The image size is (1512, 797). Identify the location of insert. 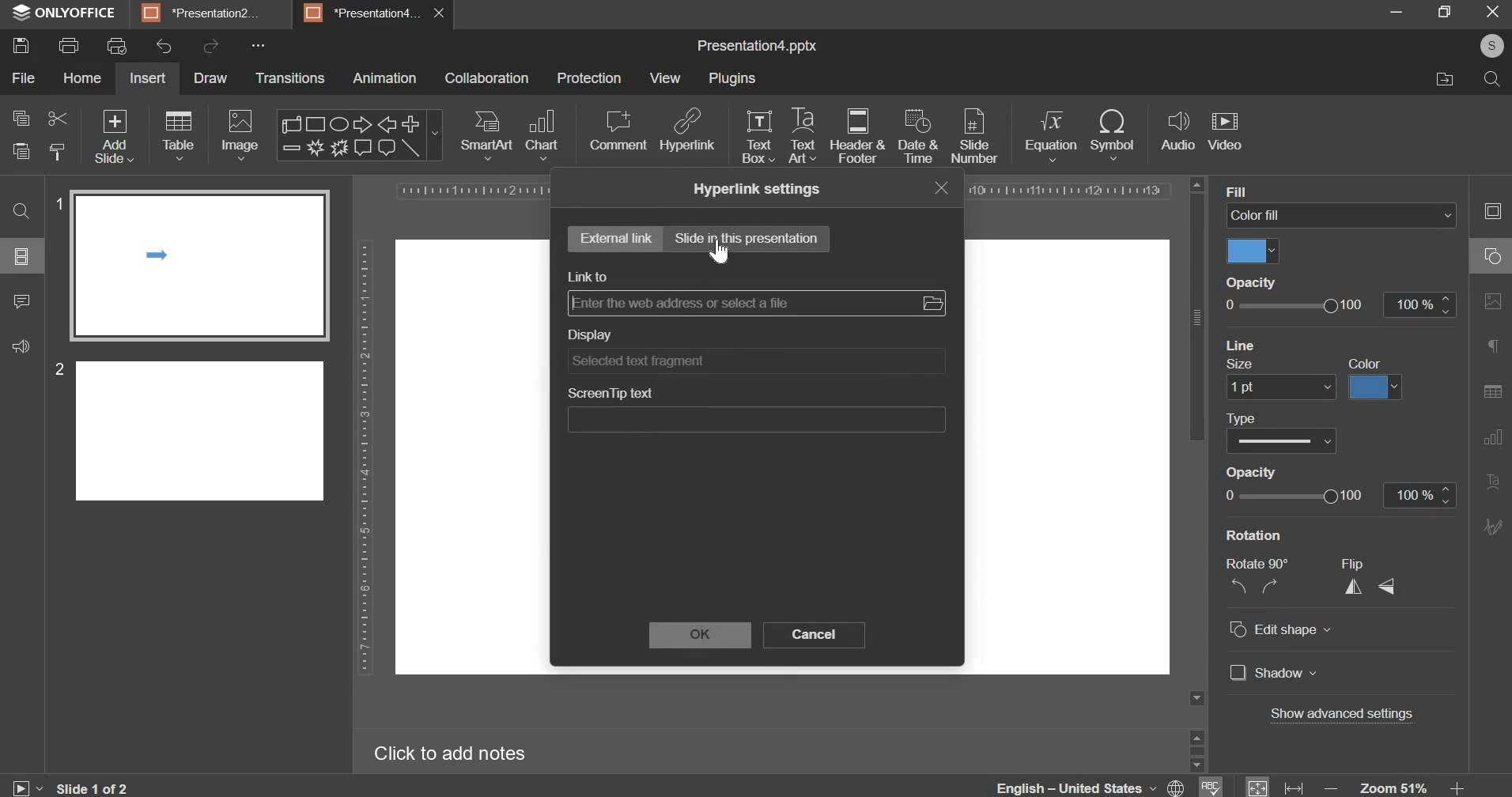
(148, 78).